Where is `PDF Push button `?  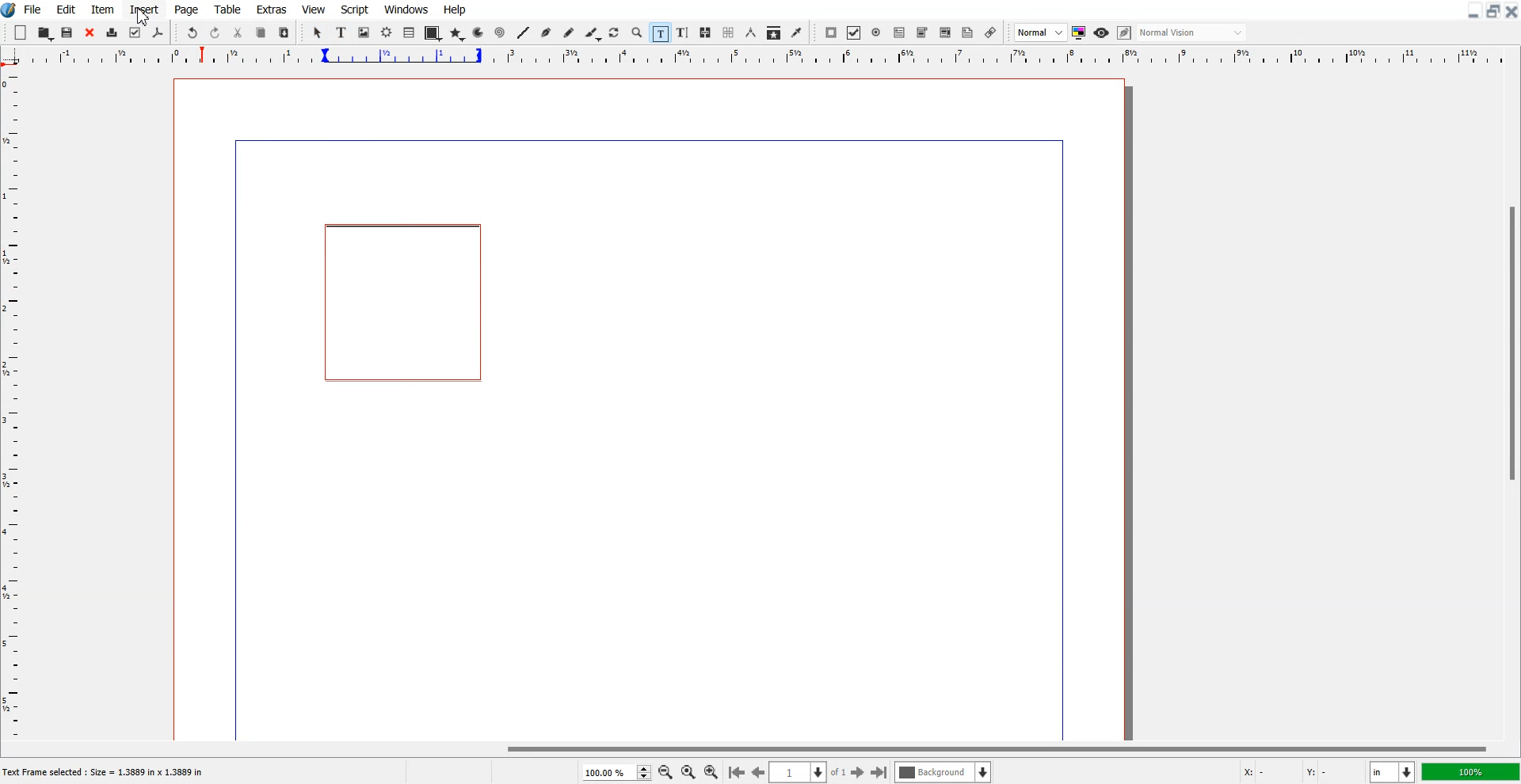
PDF Push button  is located at coordinates (830, 32).